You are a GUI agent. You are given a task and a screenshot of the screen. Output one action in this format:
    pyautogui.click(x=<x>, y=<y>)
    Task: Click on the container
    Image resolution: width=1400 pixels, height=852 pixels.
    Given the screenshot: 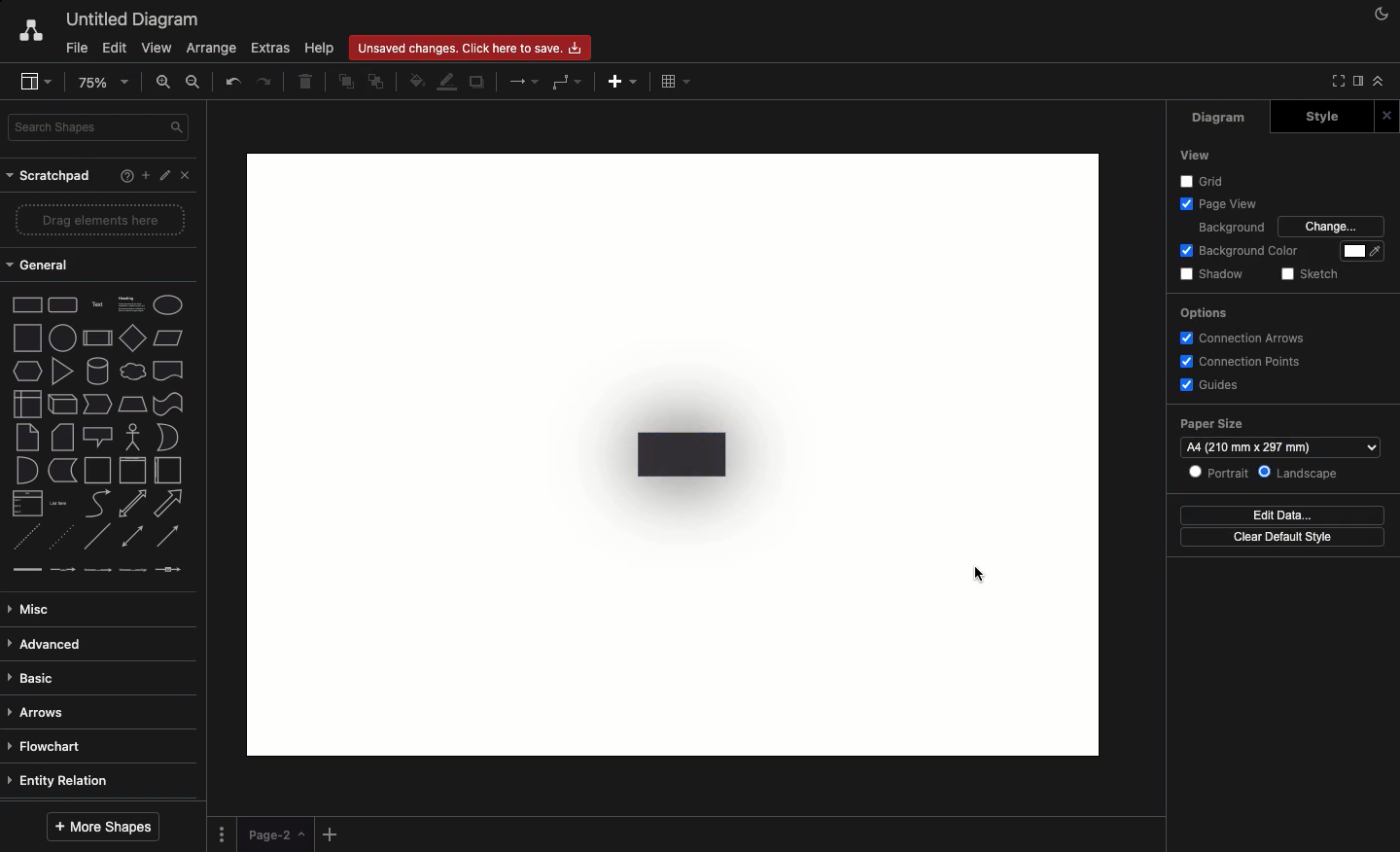 What is the action you would take?
    pyautogui.click(x=97, y=469)
    